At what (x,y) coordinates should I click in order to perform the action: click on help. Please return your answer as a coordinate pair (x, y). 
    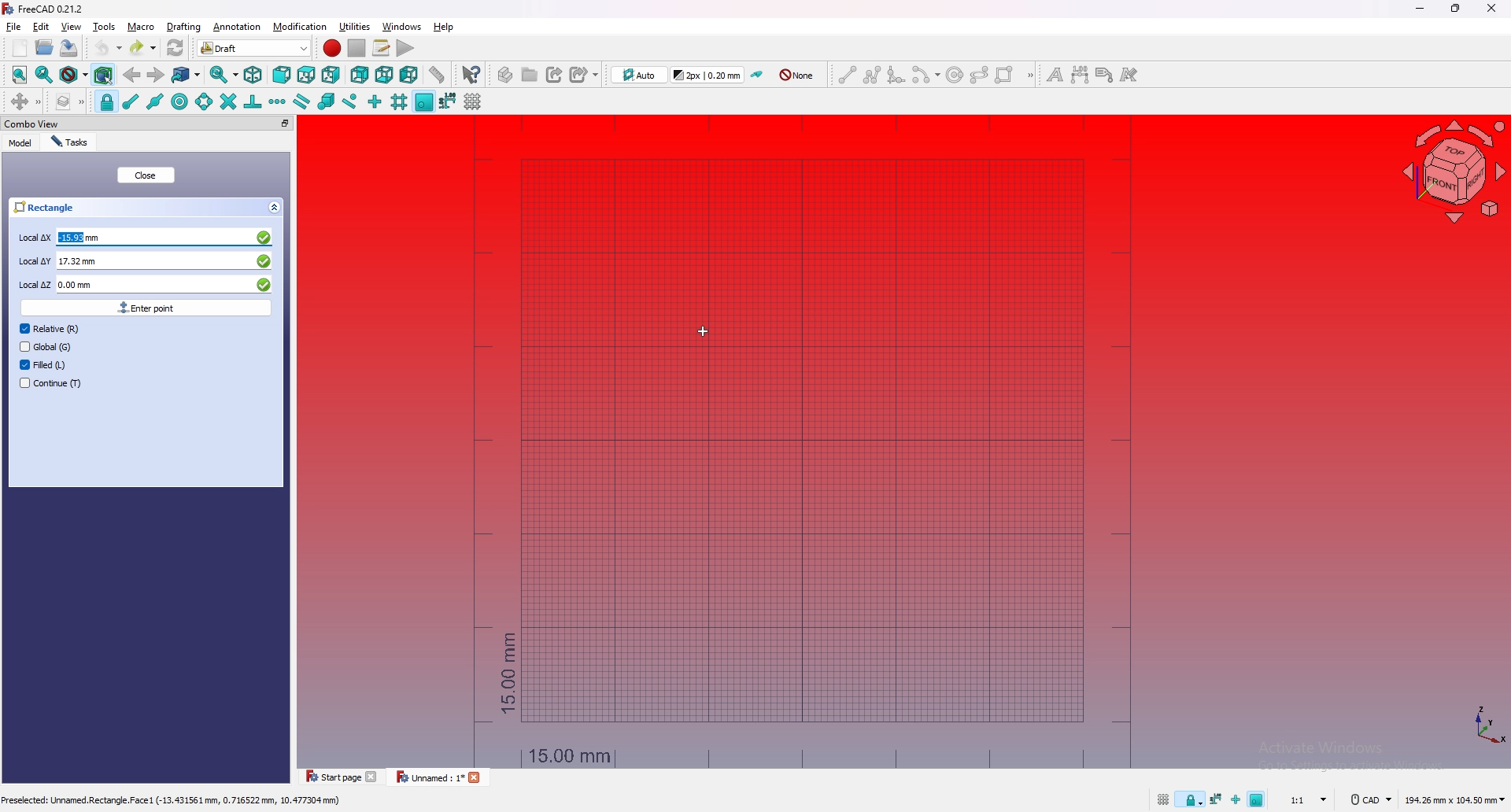
    Looking at the image, I should click on (443, 27).